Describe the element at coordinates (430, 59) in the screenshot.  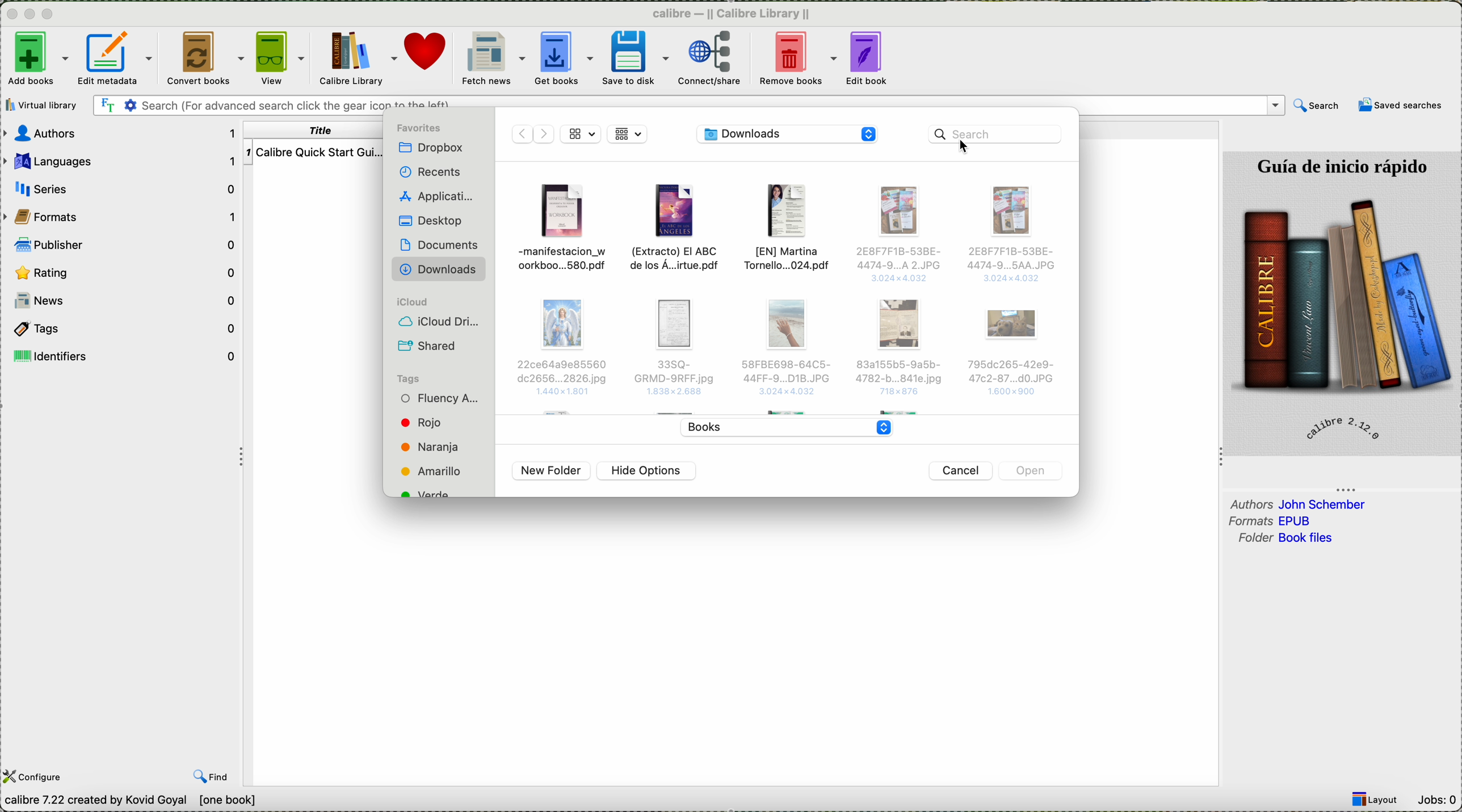
I see `donate` at that location.